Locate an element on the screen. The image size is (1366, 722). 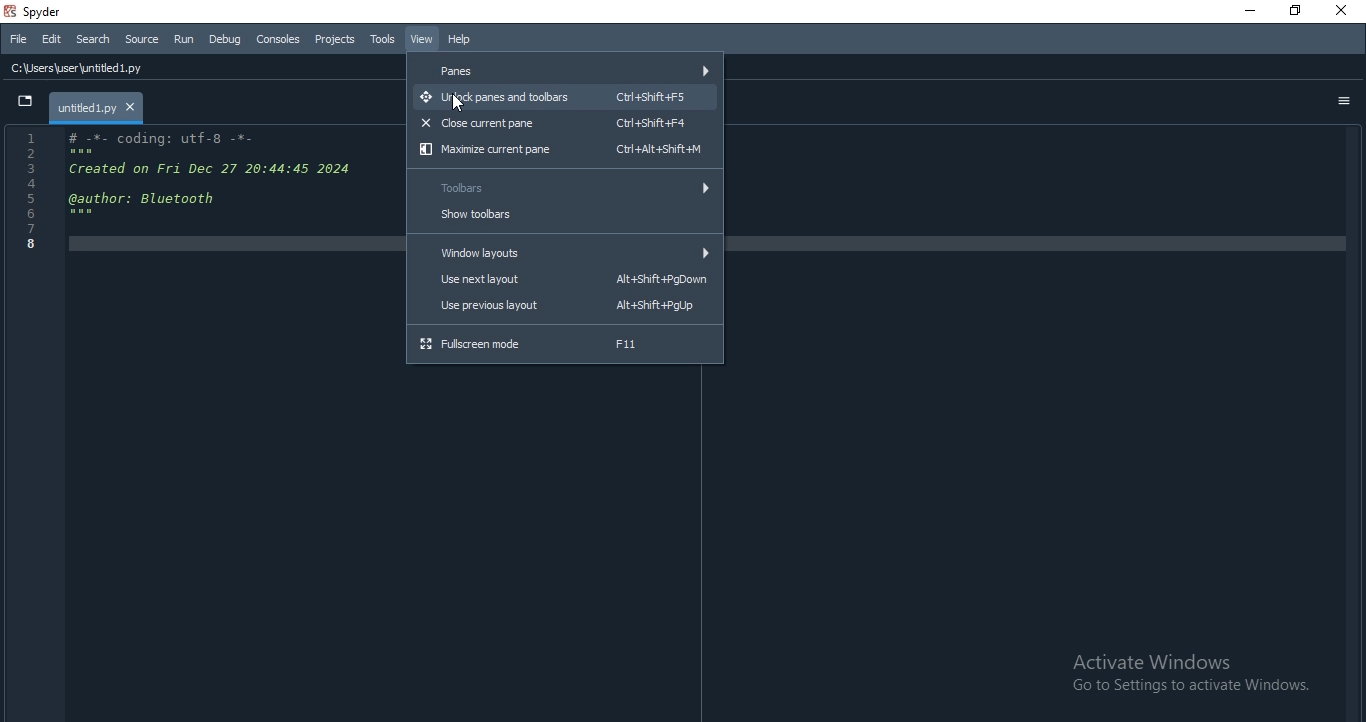
maximise current pane is located at coordinates (563, 152).